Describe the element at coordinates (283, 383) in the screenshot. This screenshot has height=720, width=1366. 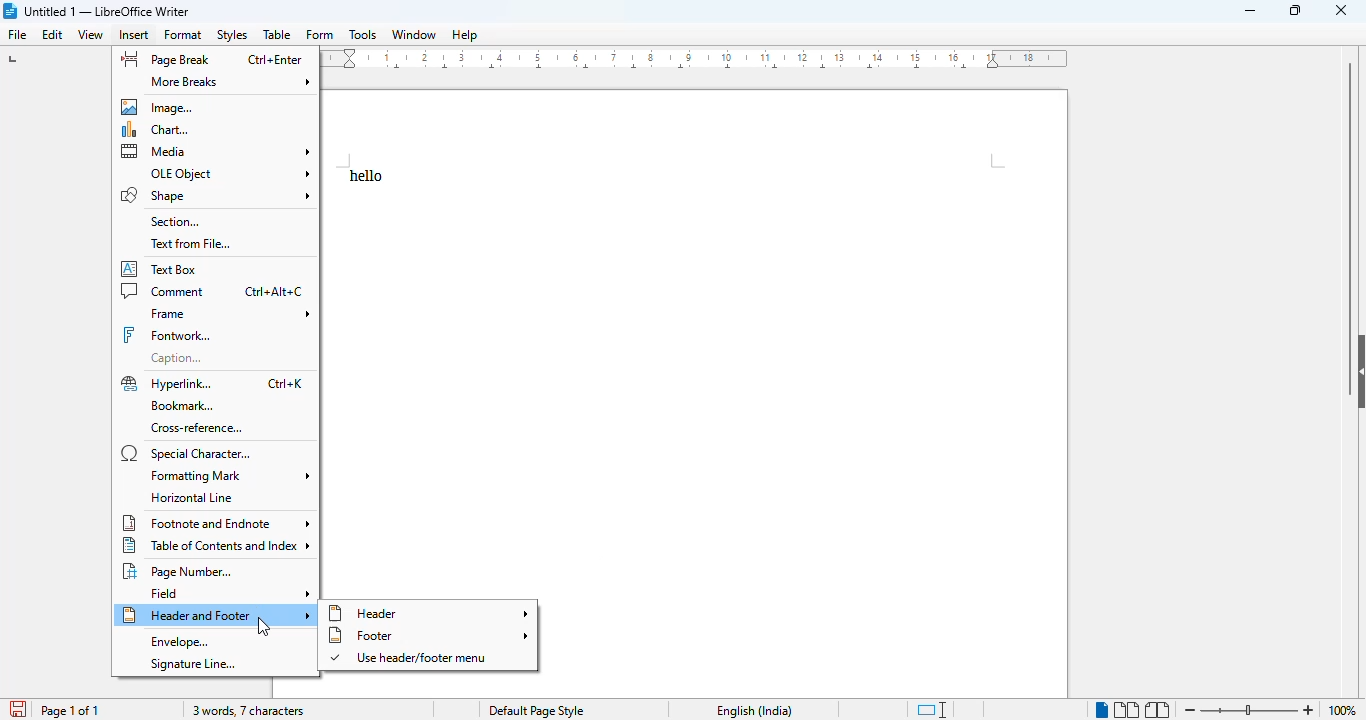
I see `shortcut for hyperlink` at that location.